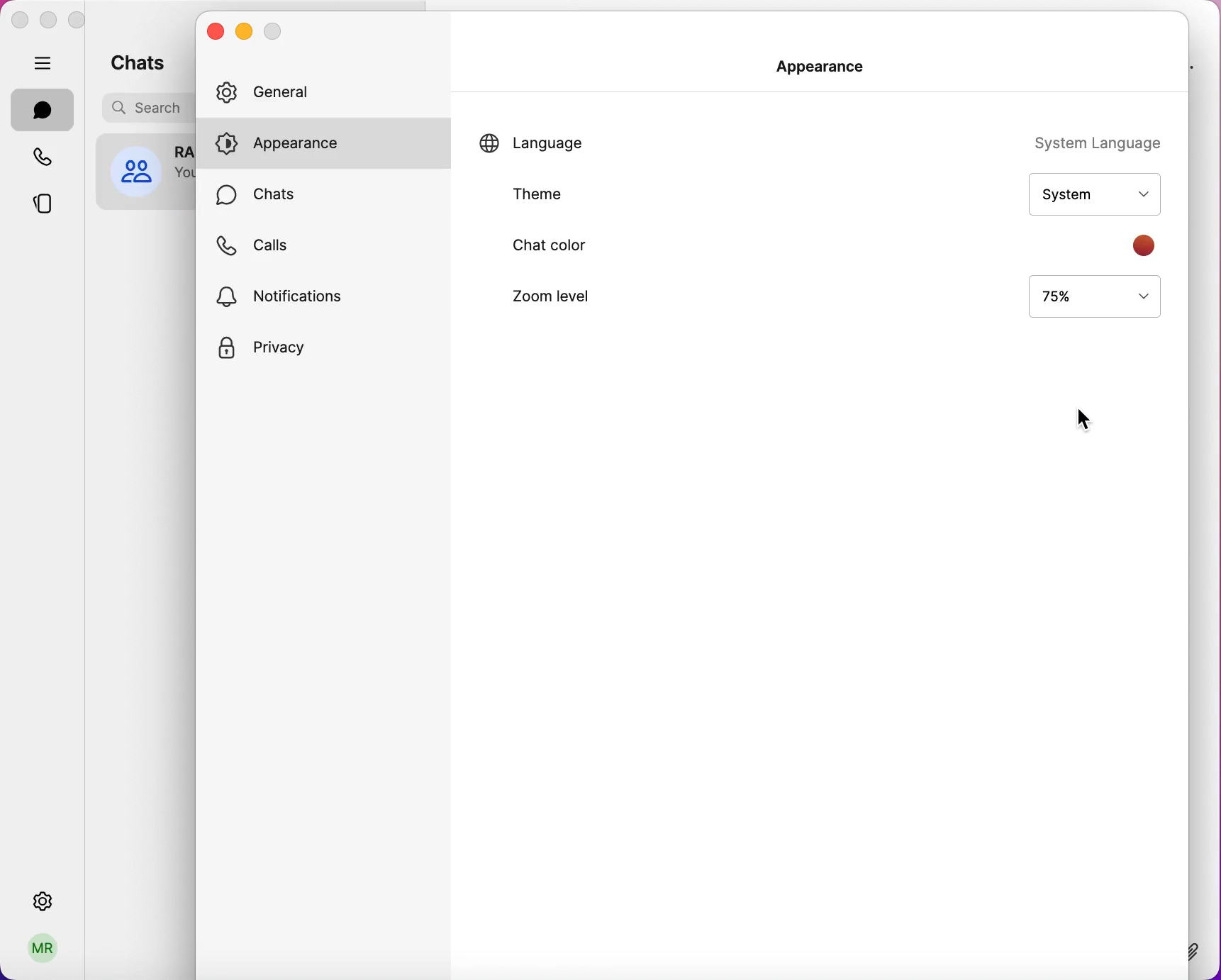 The width and height of the screenshot is (1221, 980). What do you see at coordinates (246, 31) in the screenshot?
I see `minimize` at bounding box center [246, 31].